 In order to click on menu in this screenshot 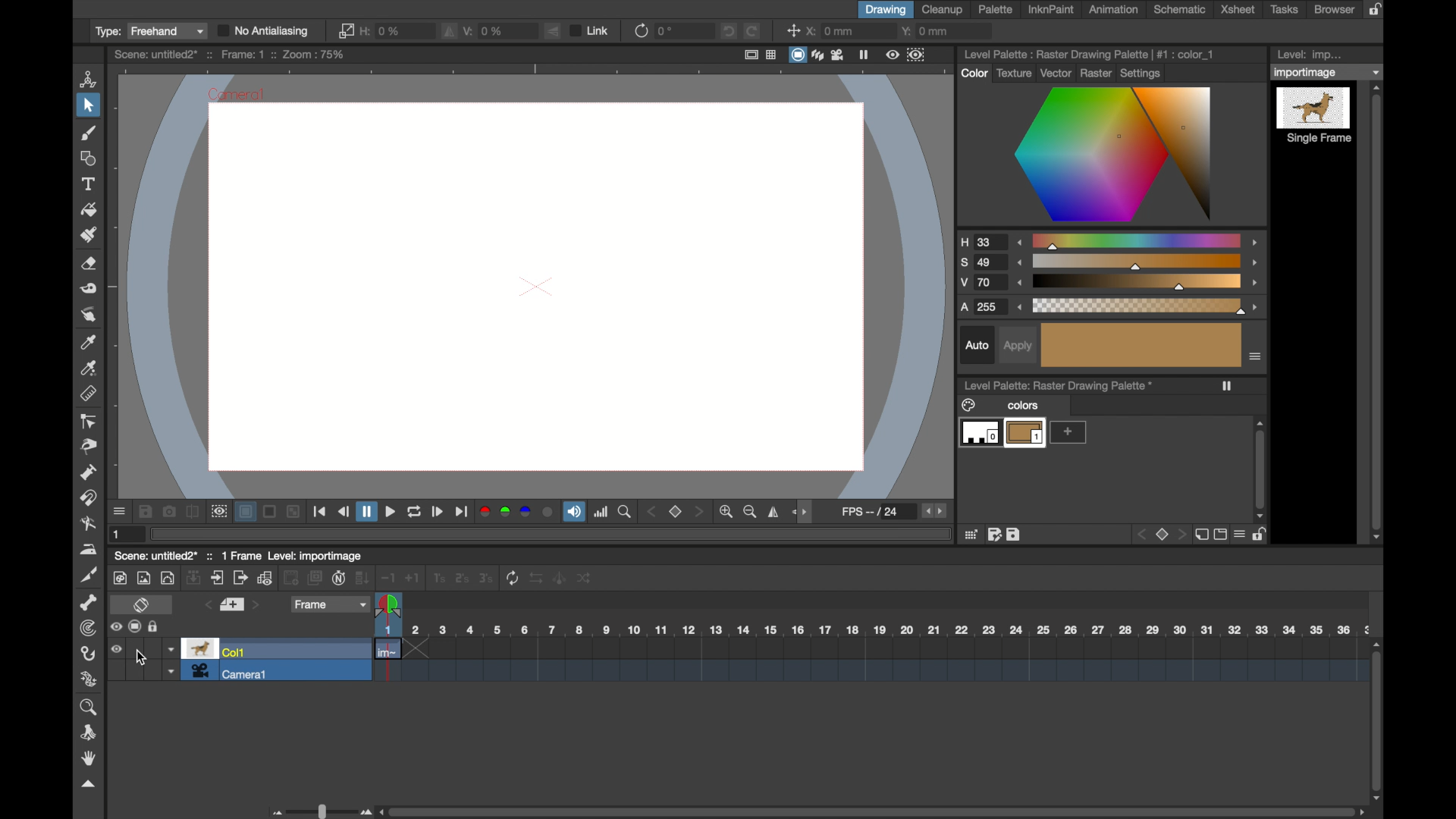, I will do `click(1239, 534)`.